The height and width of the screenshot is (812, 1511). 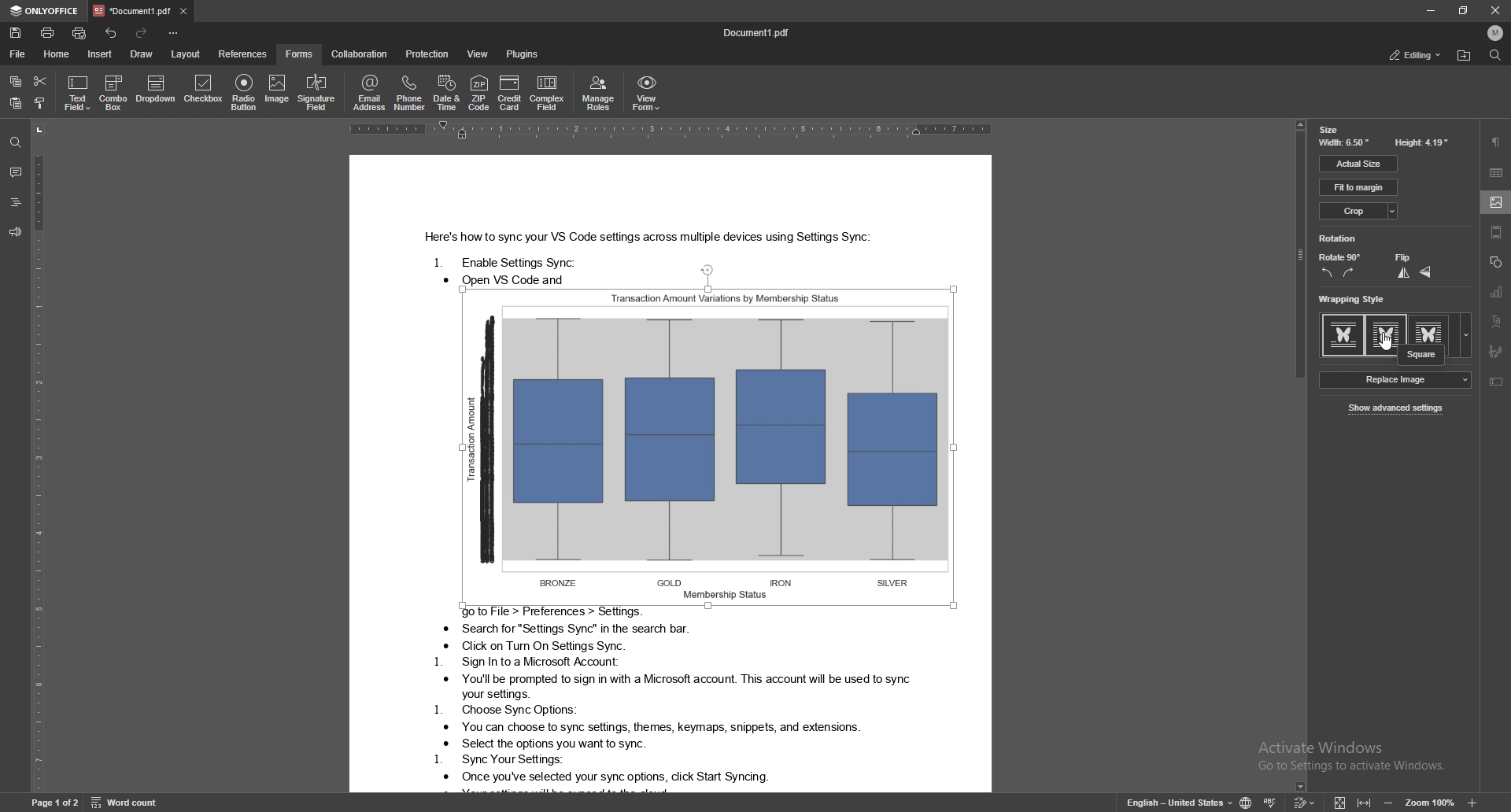 What do you see at coordinates (600, 92) in the screenshot?
I see `manage roles` at bounding box center [600, 92].